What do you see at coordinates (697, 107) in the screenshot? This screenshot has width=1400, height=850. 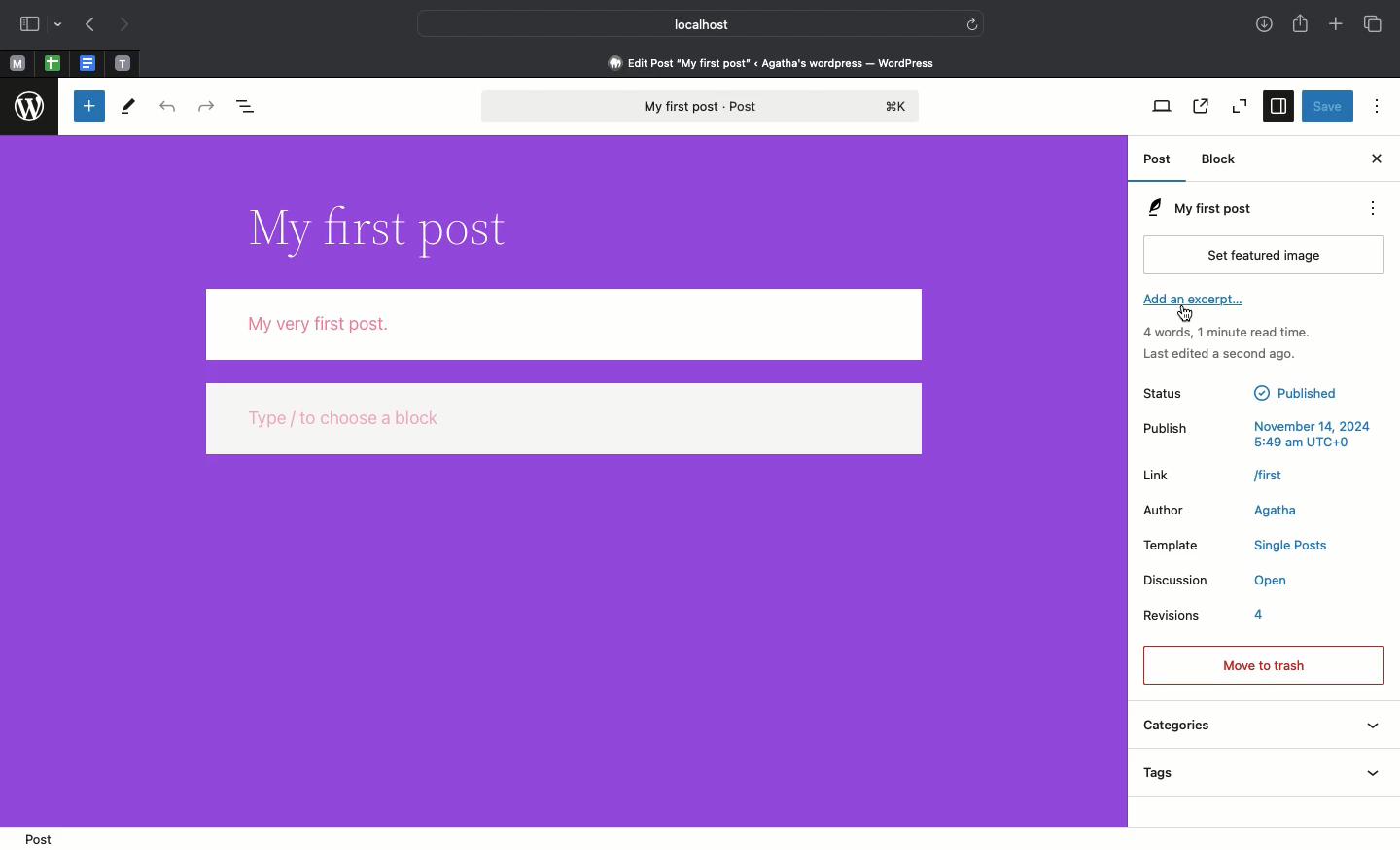 I see `My first post` at bounding box center [697, 107].